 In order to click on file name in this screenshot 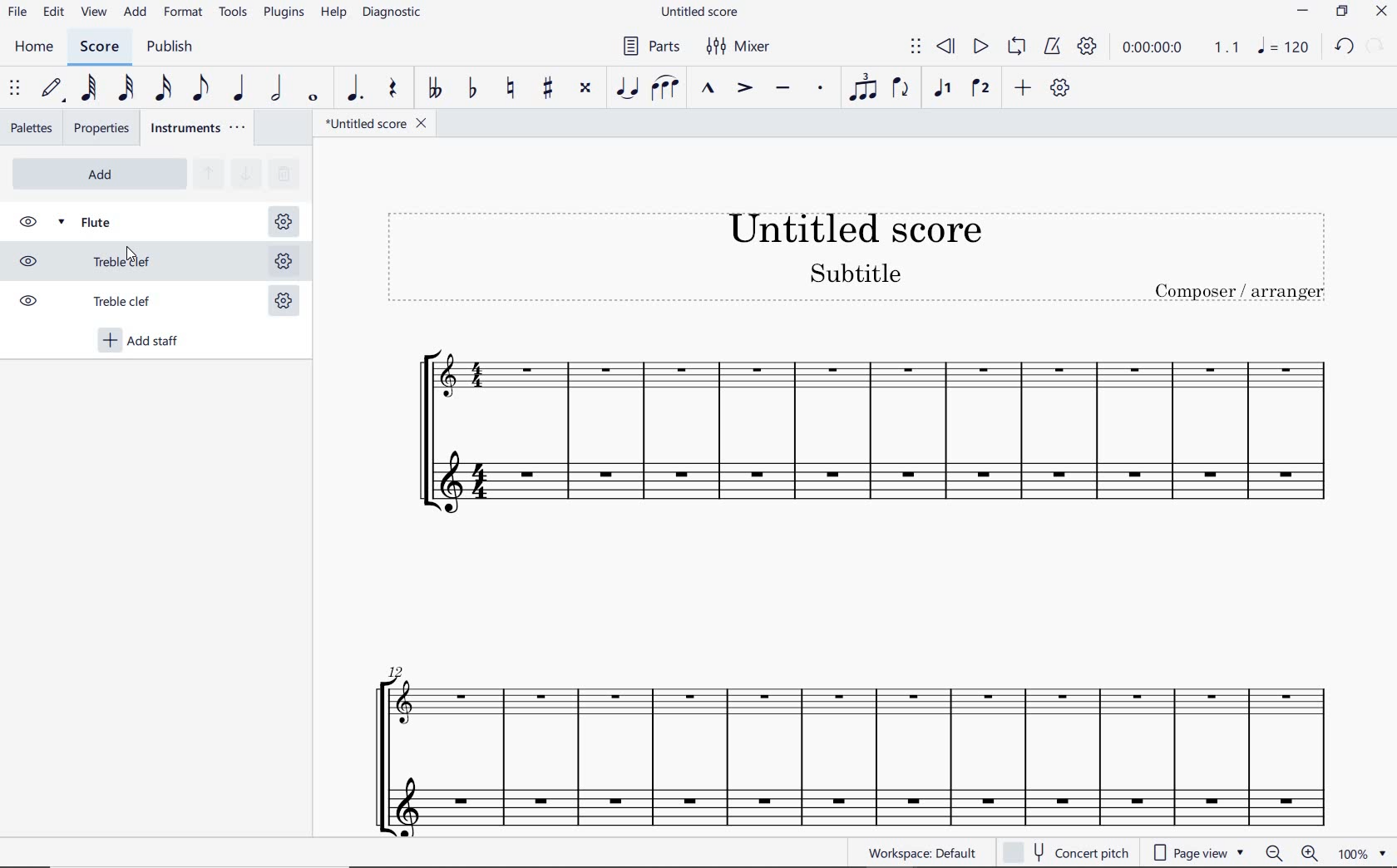, I will do `click(375, 124)`.